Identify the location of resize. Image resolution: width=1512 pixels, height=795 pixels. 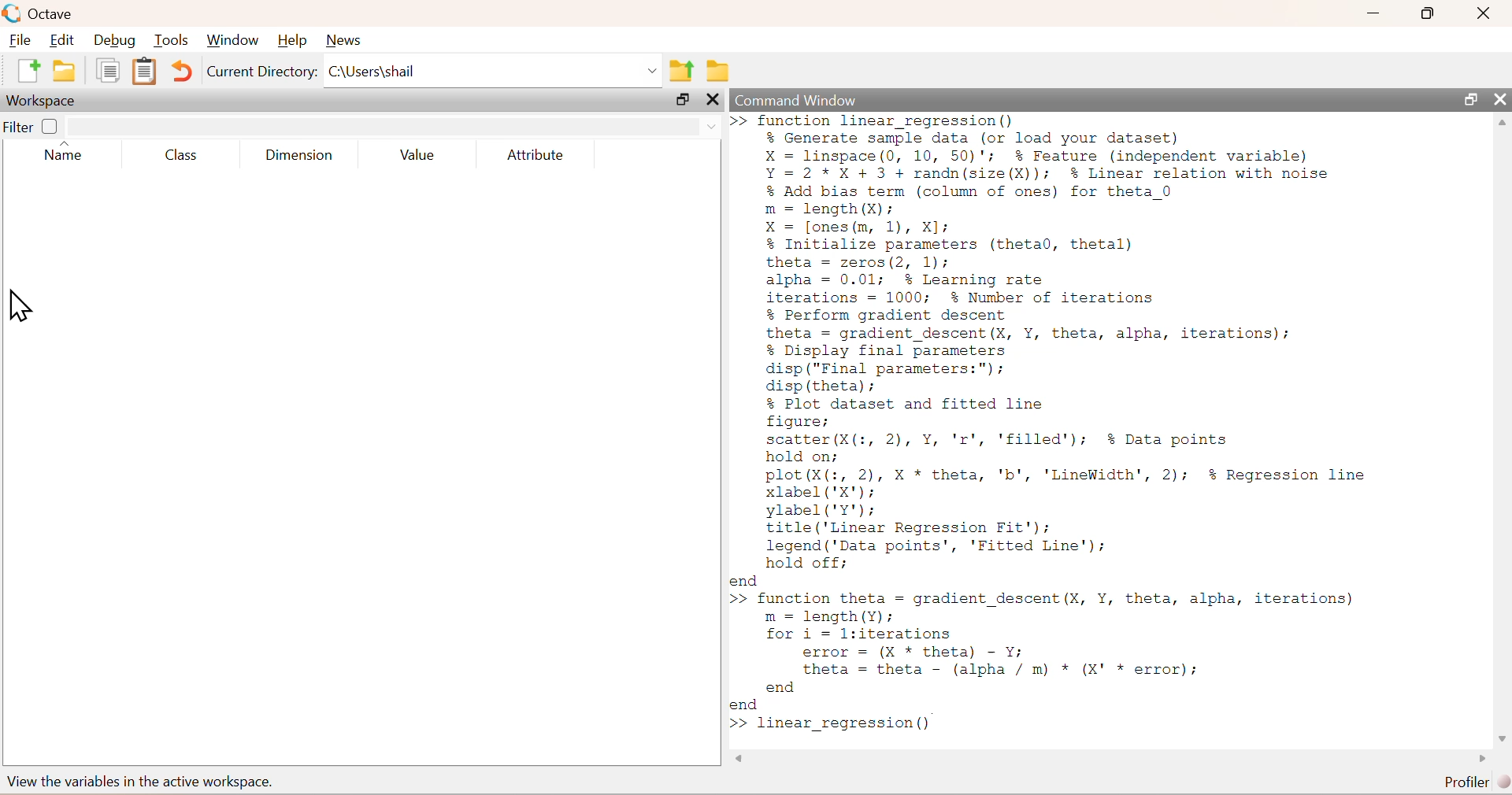
(1469, 99).